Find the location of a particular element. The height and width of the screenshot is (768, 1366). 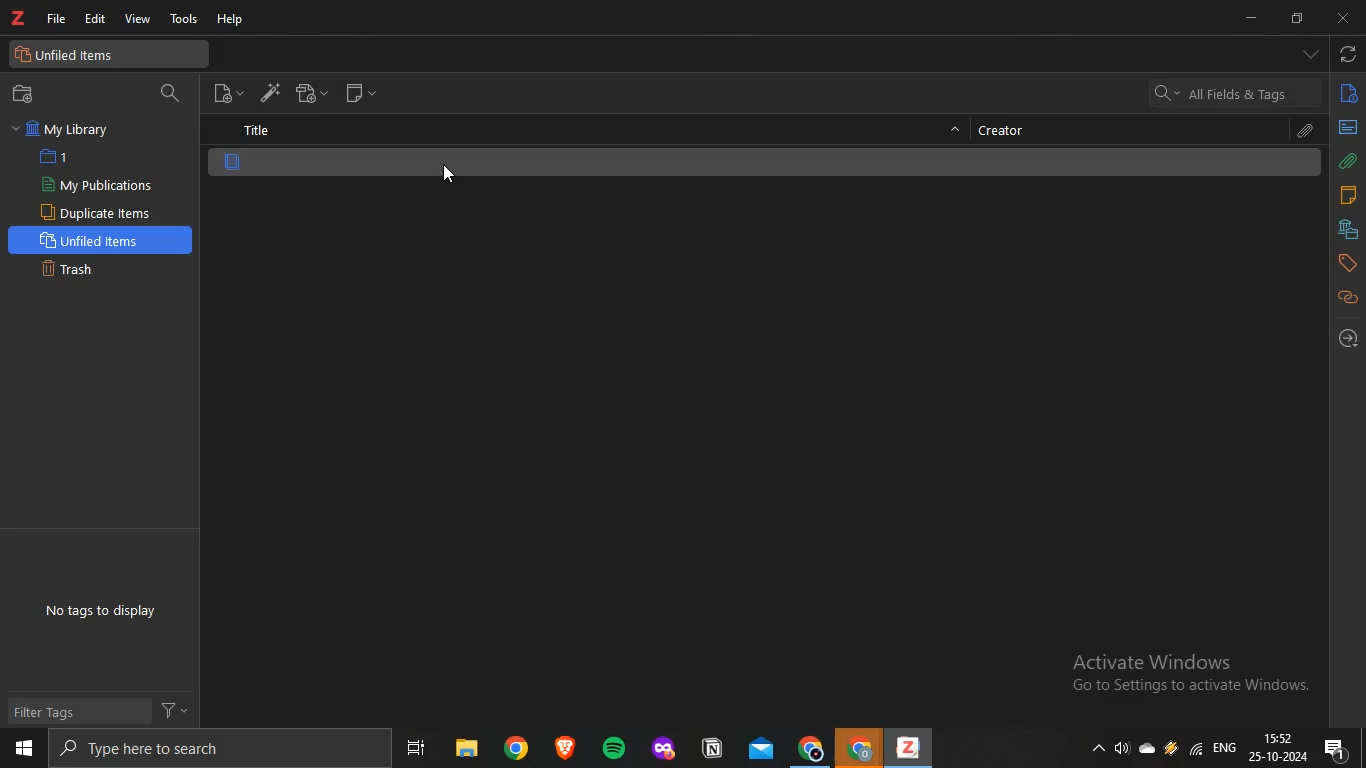

show hidden icons is located at coordinates (1095, 746).